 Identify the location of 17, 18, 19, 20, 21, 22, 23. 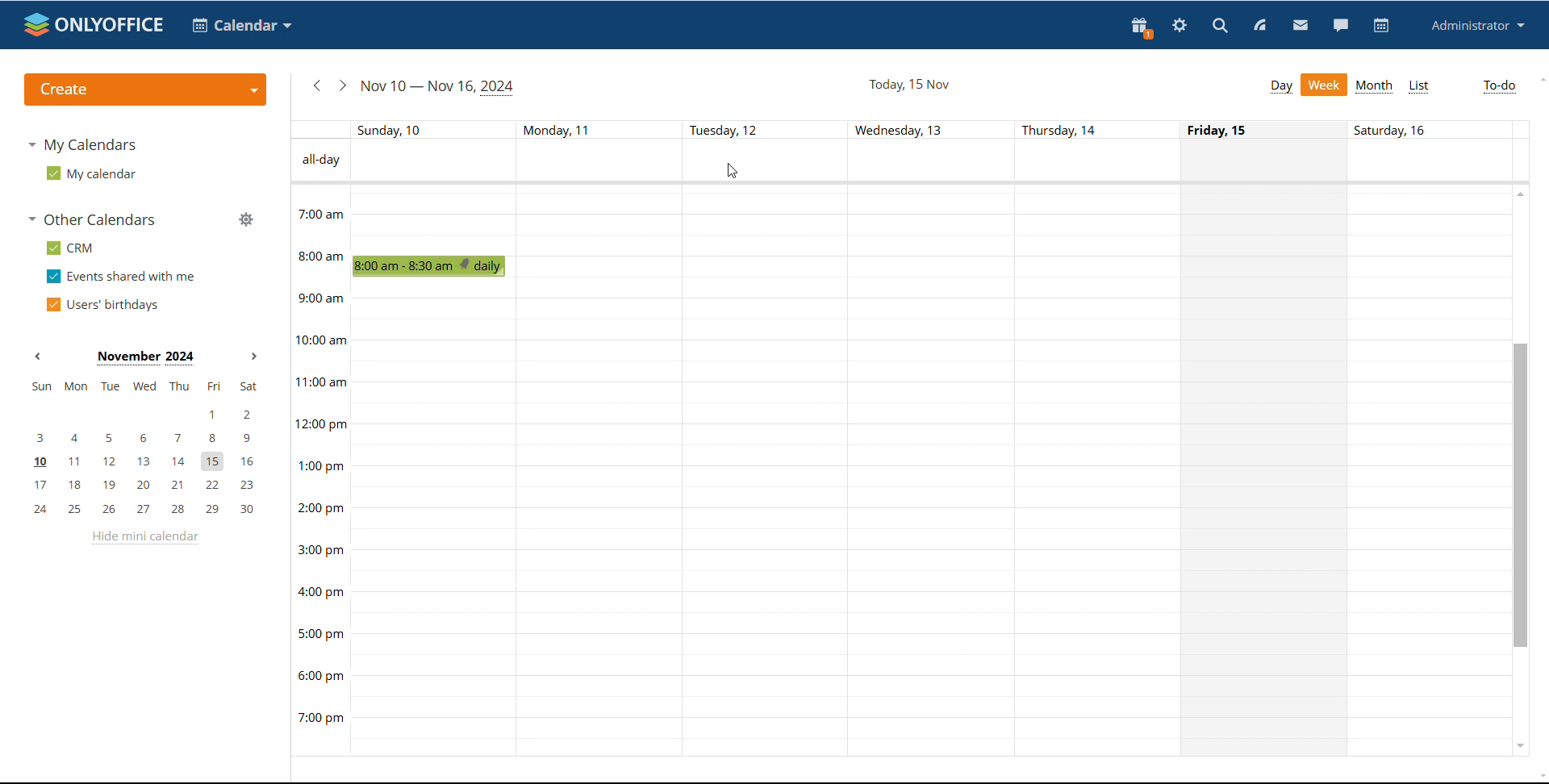
(150, 485).